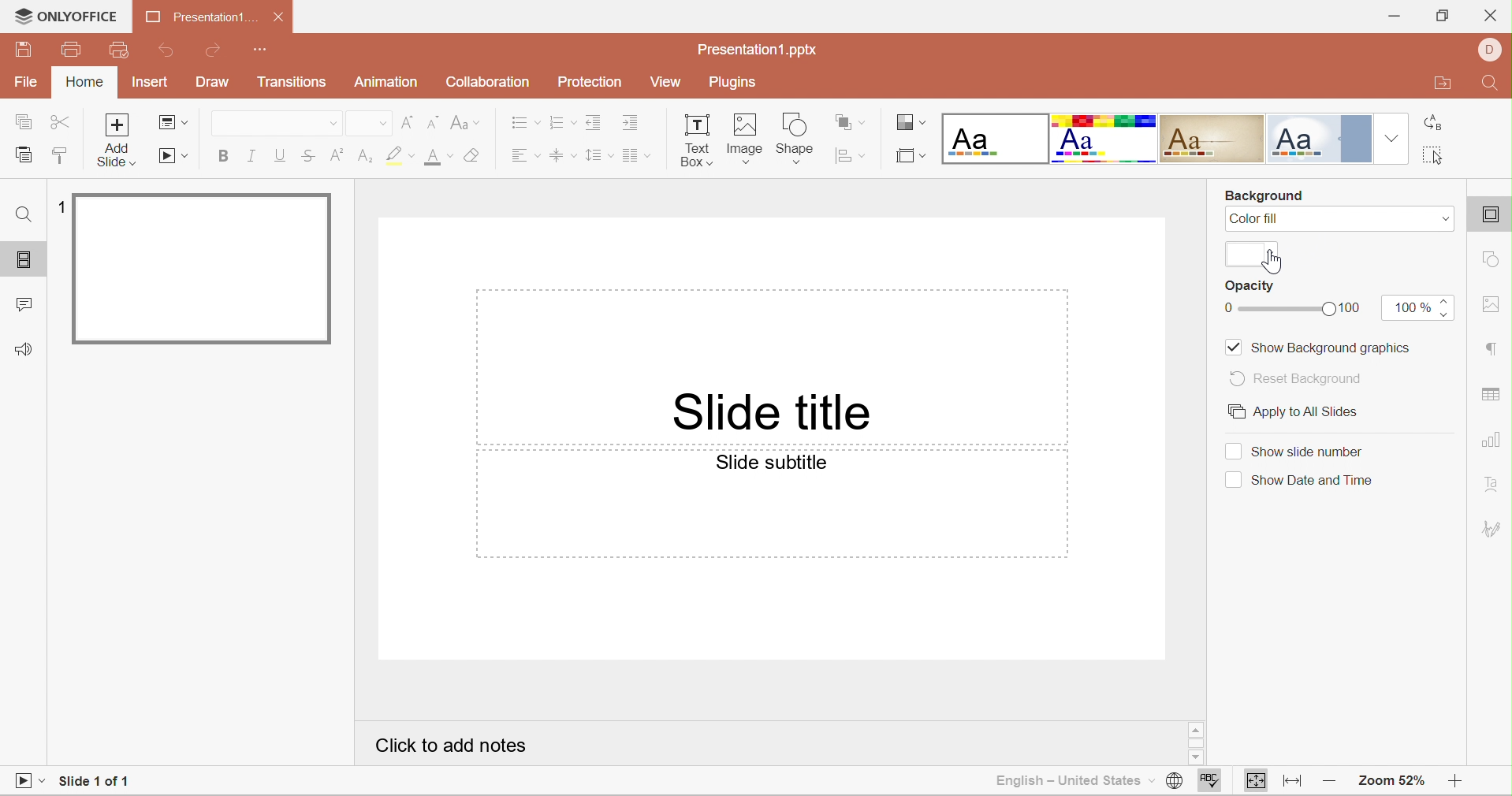  Describe the element at coordinates (24, 215) in the screenshot. I see `Find` at that location.